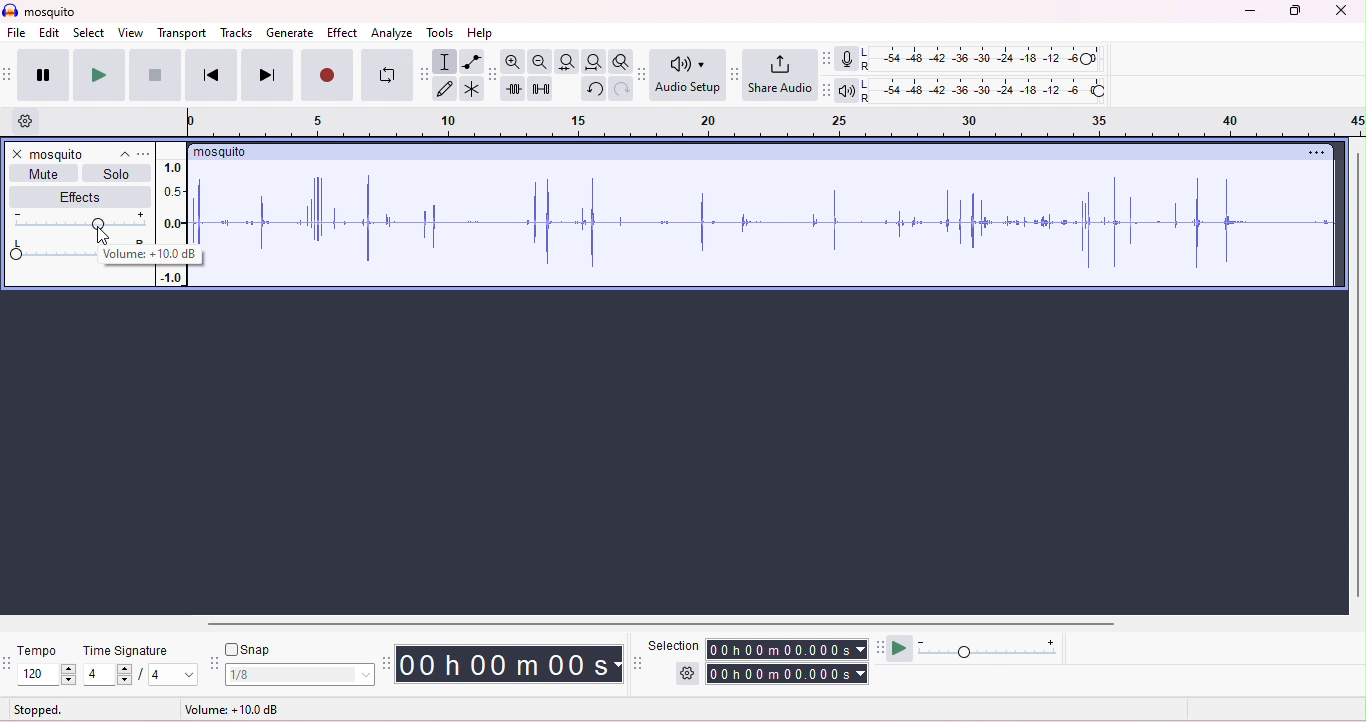 The height and width of the screenshot is (722, 1366). What do you see at coordinates (446, 63) in the screenshot?
I see `selection` at bounding box center [446, 63].